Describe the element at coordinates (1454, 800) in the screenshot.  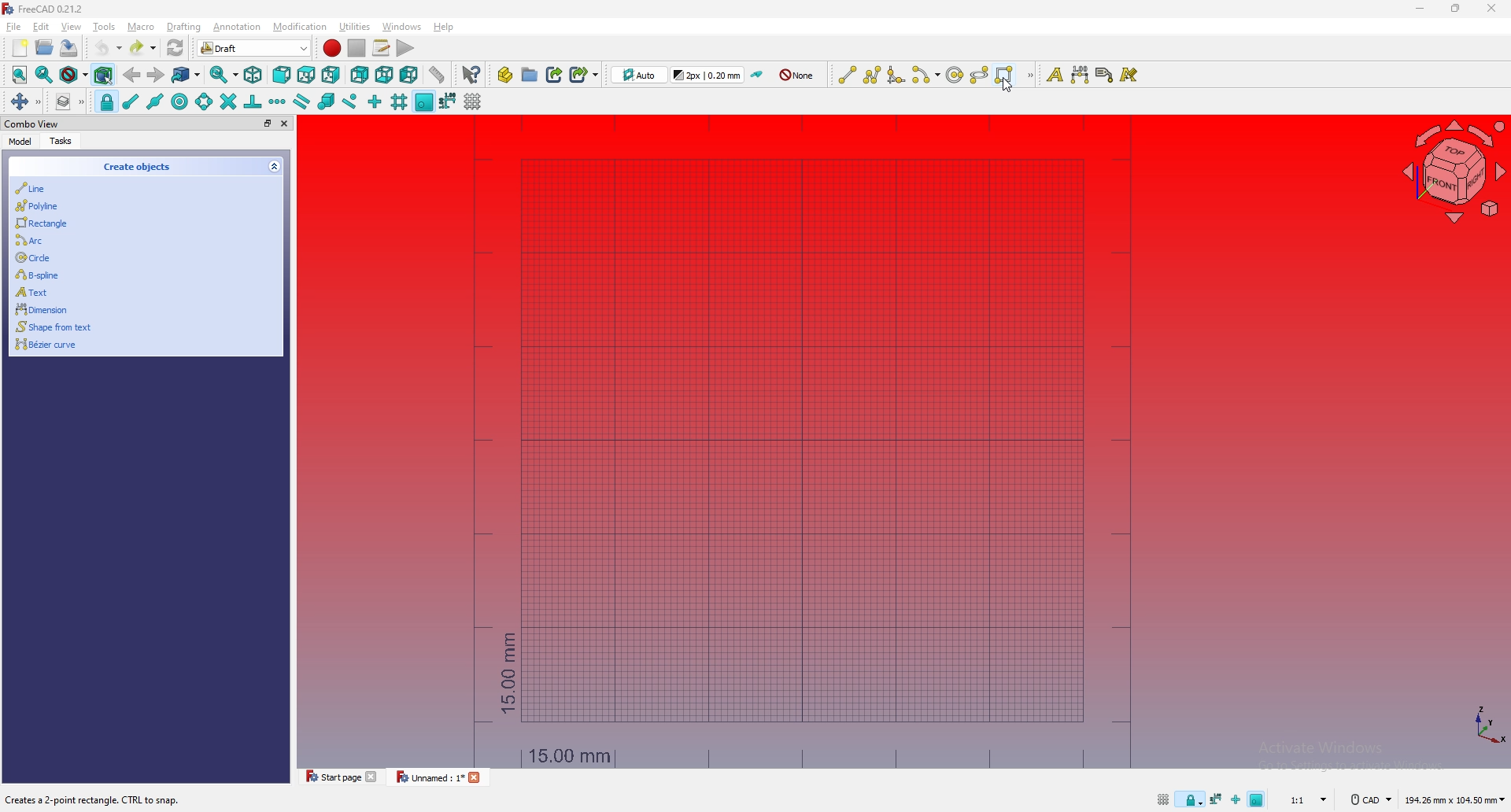
I see `194.26 mm x 104.50 mm` at that location.